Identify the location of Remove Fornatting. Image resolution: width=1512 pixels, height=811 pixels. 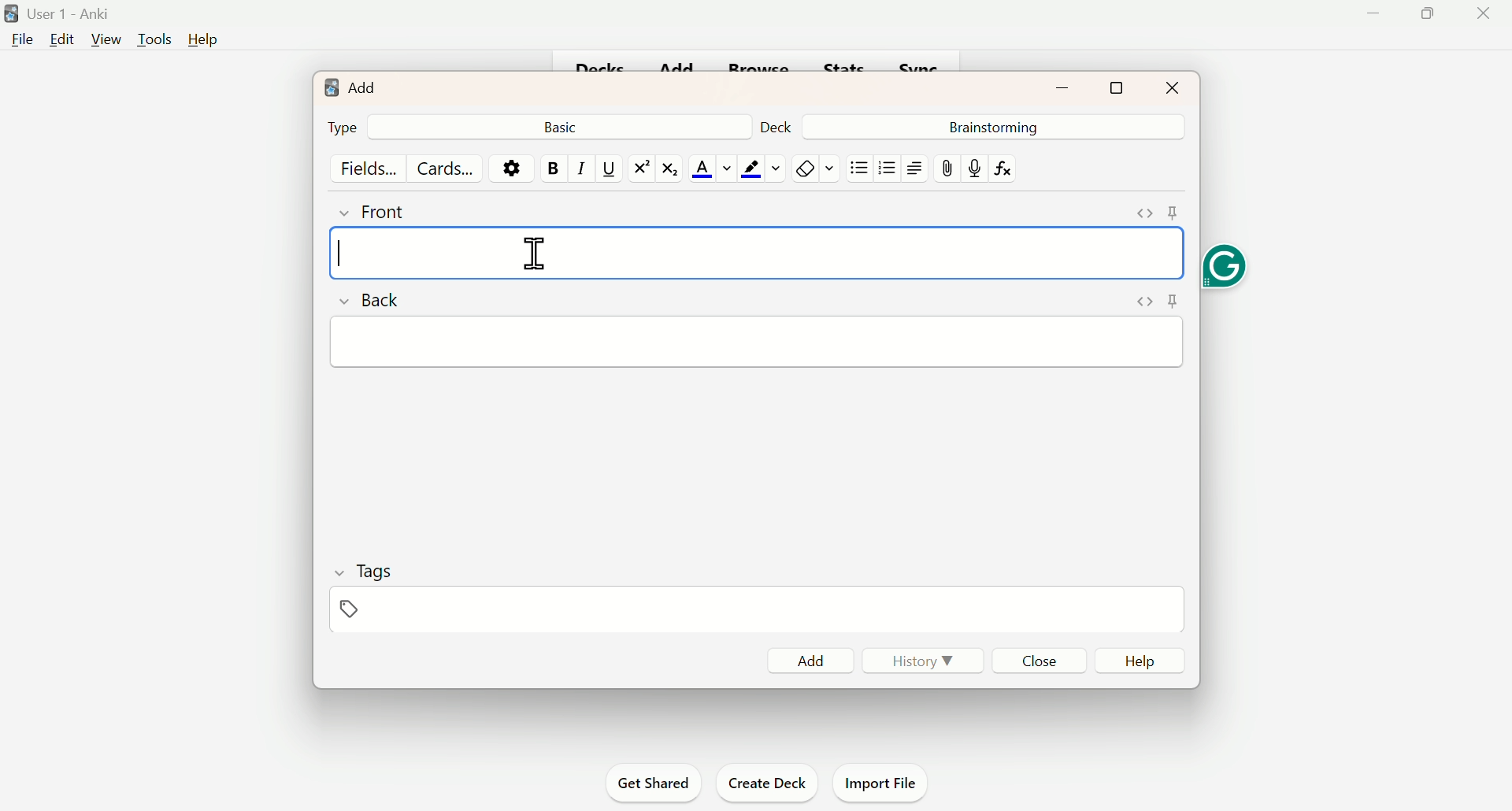
(803, 168).